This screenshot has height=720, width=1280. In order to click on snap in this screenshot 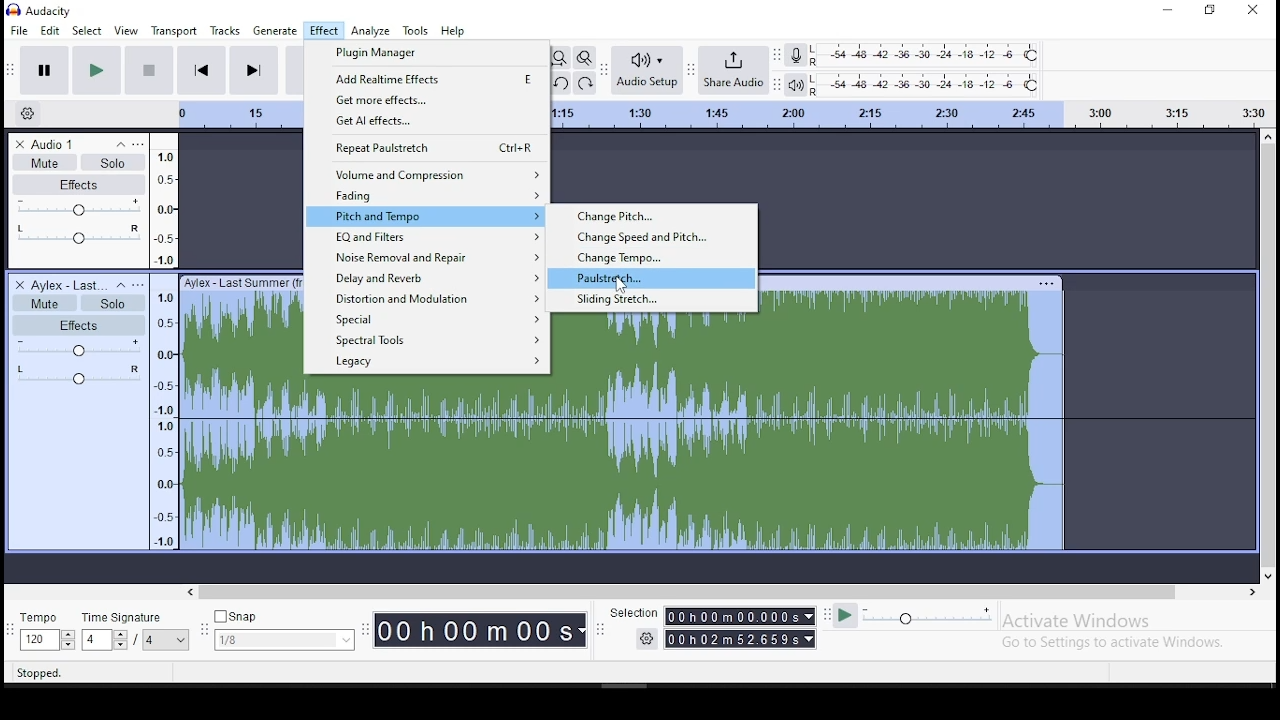, I will do `click(286, 631)`.